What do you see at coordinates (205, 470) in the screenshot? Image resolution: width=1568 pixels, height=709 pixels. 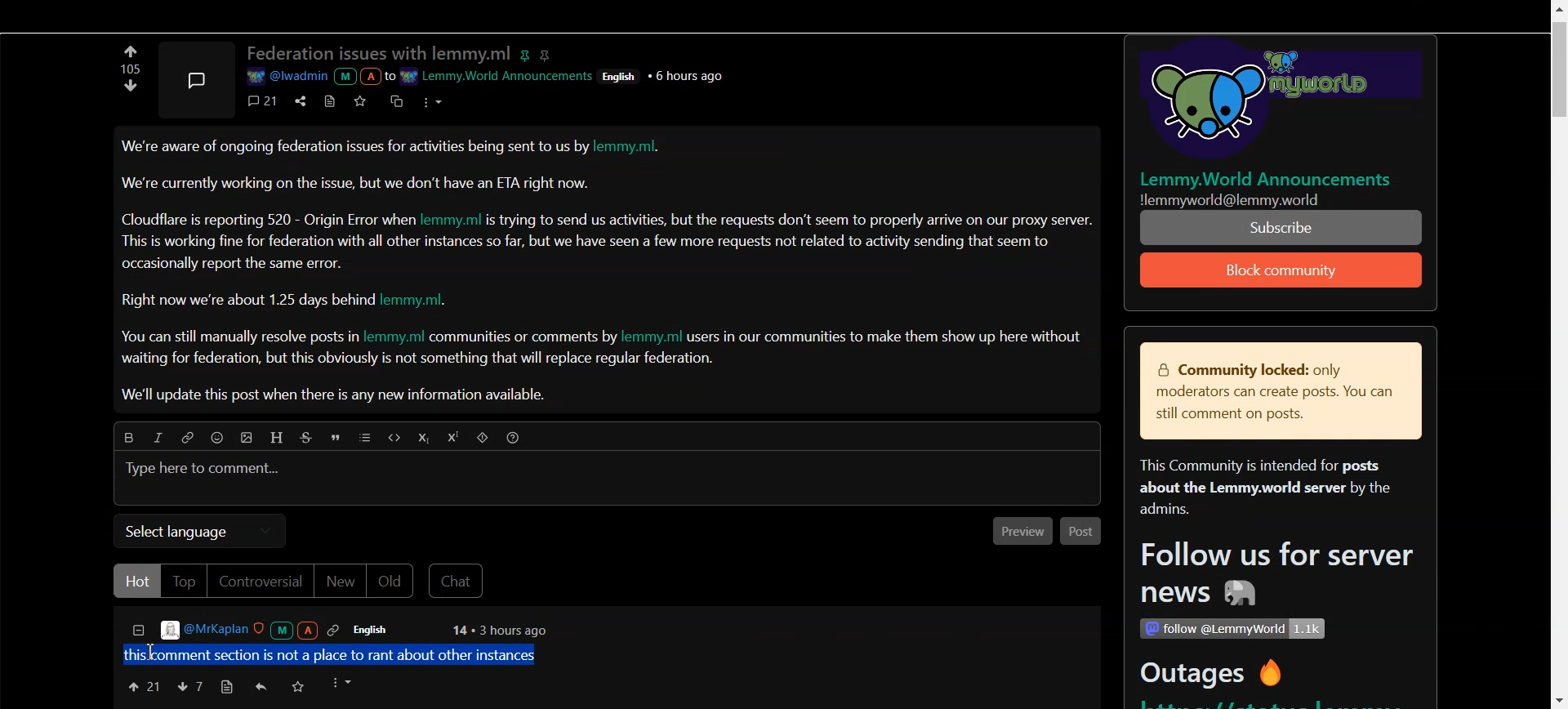 I see `Type here to comment...` at bounding box center [205, 470].